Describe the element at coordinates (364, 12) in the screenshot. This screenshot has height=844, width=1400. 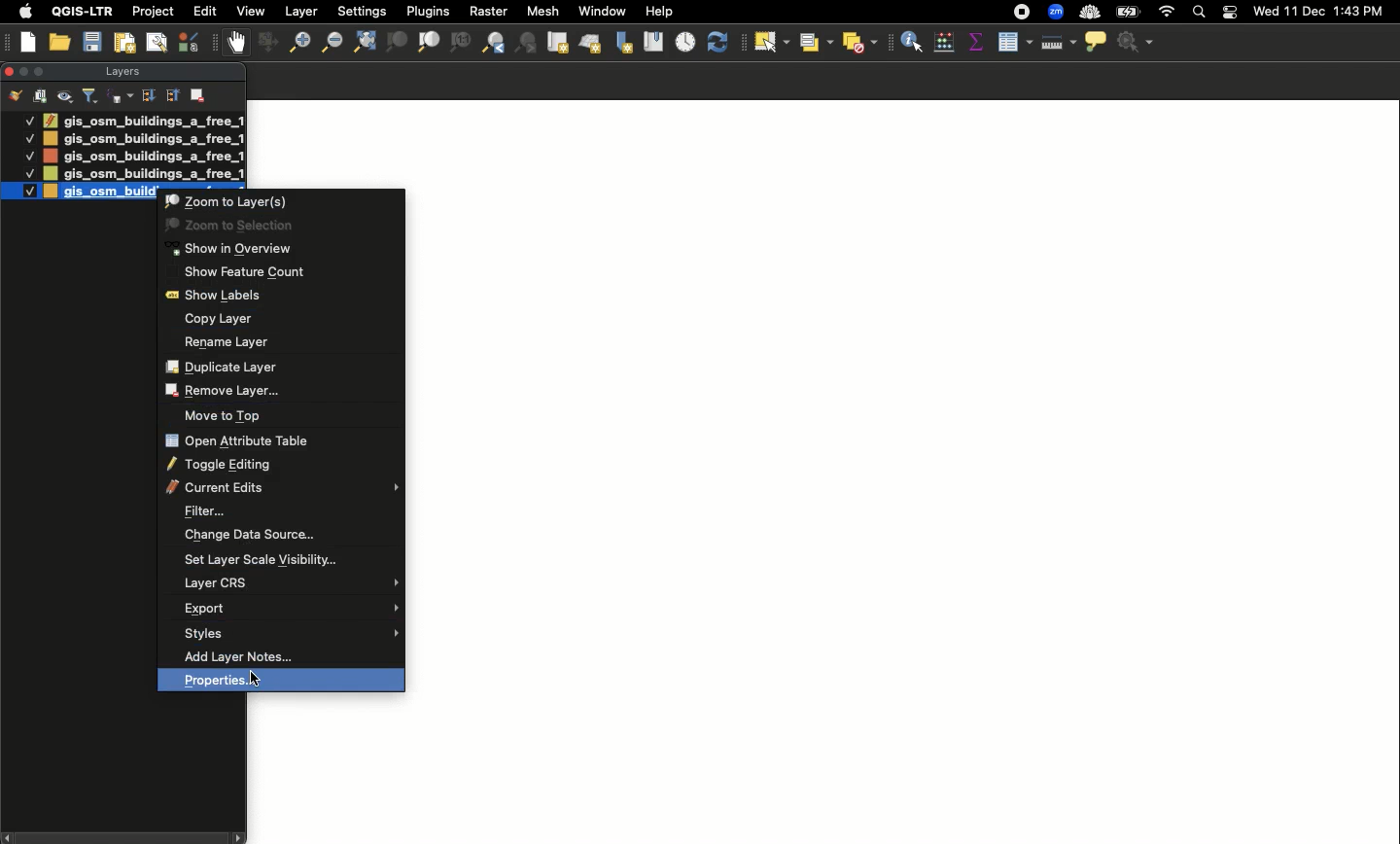
I see `Settings` at that location.